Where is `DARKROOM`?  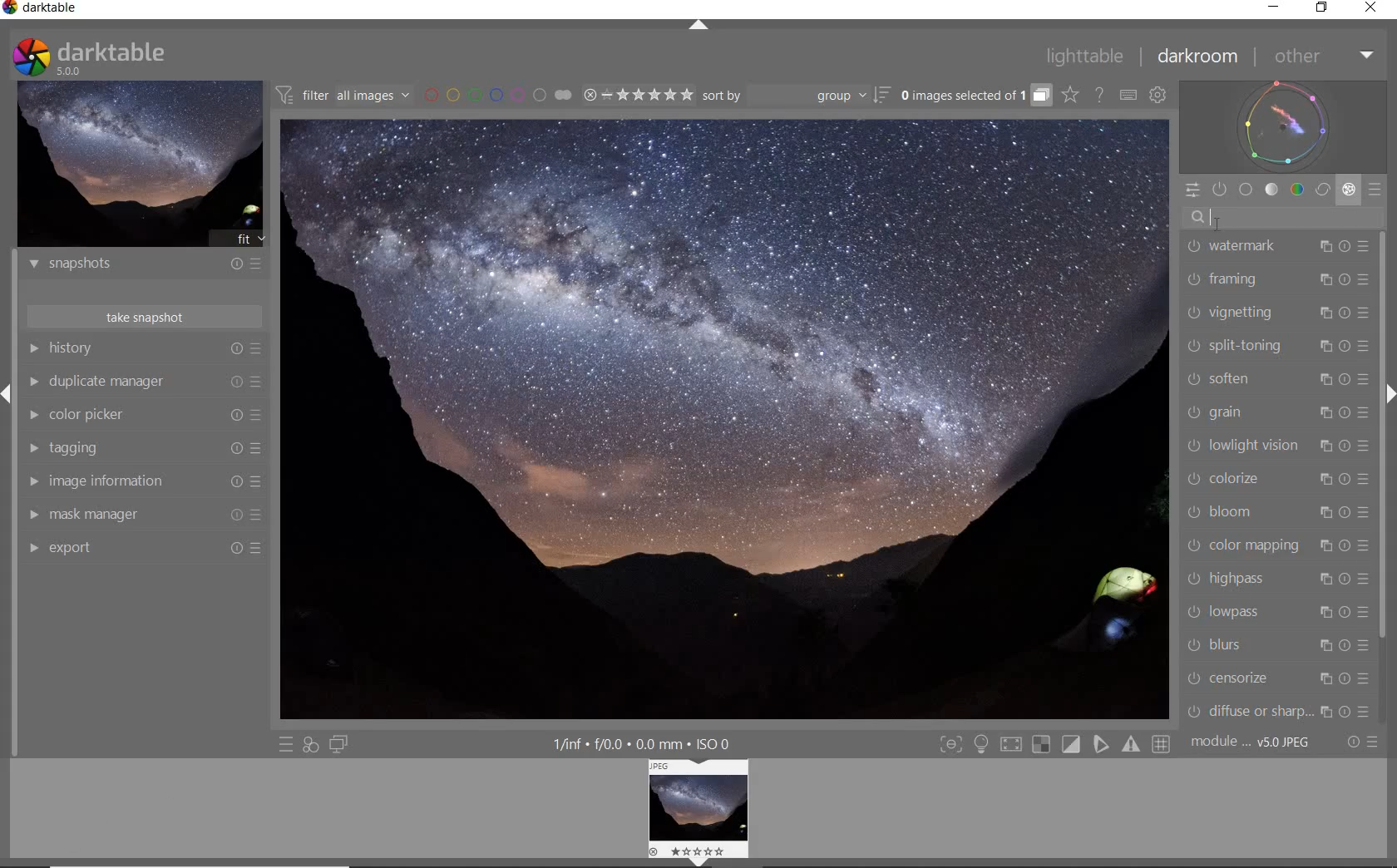 DARKROOM is located at coordinates (1202, 56).